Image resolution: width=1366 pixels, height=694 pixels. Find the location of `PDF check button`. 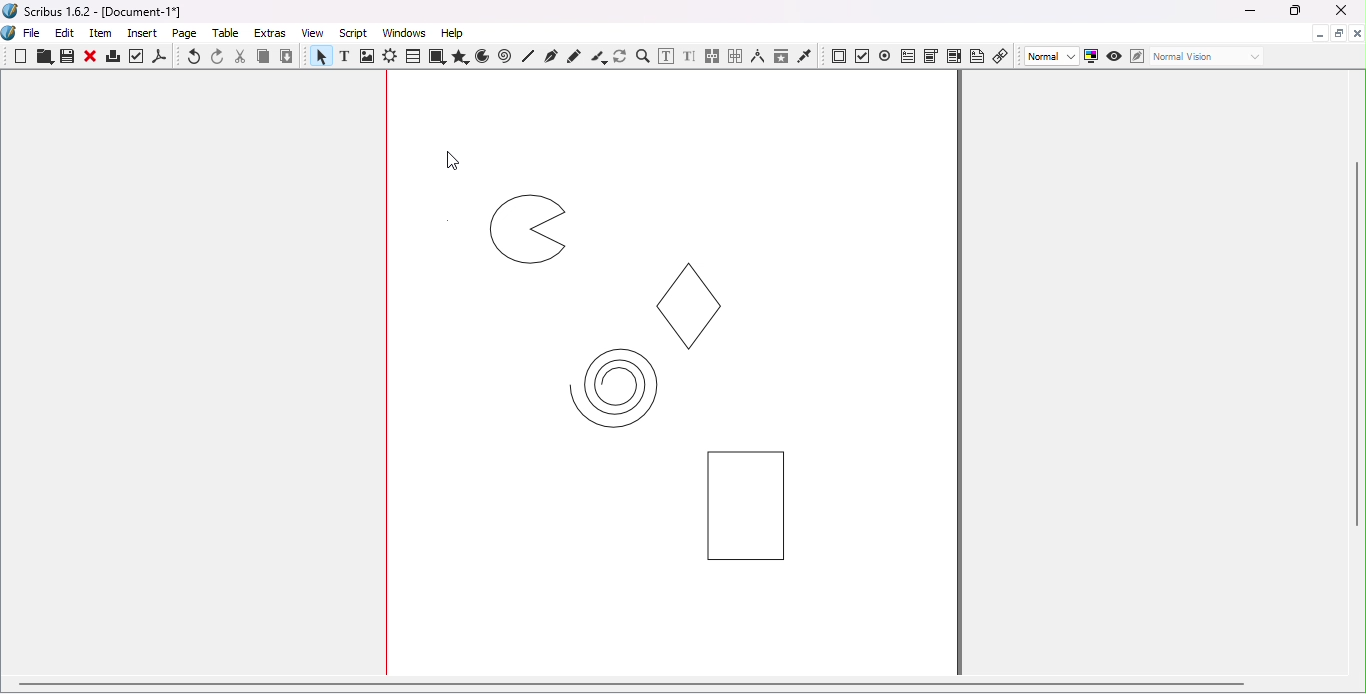

PDF check button is located at coordinates (863, 55).